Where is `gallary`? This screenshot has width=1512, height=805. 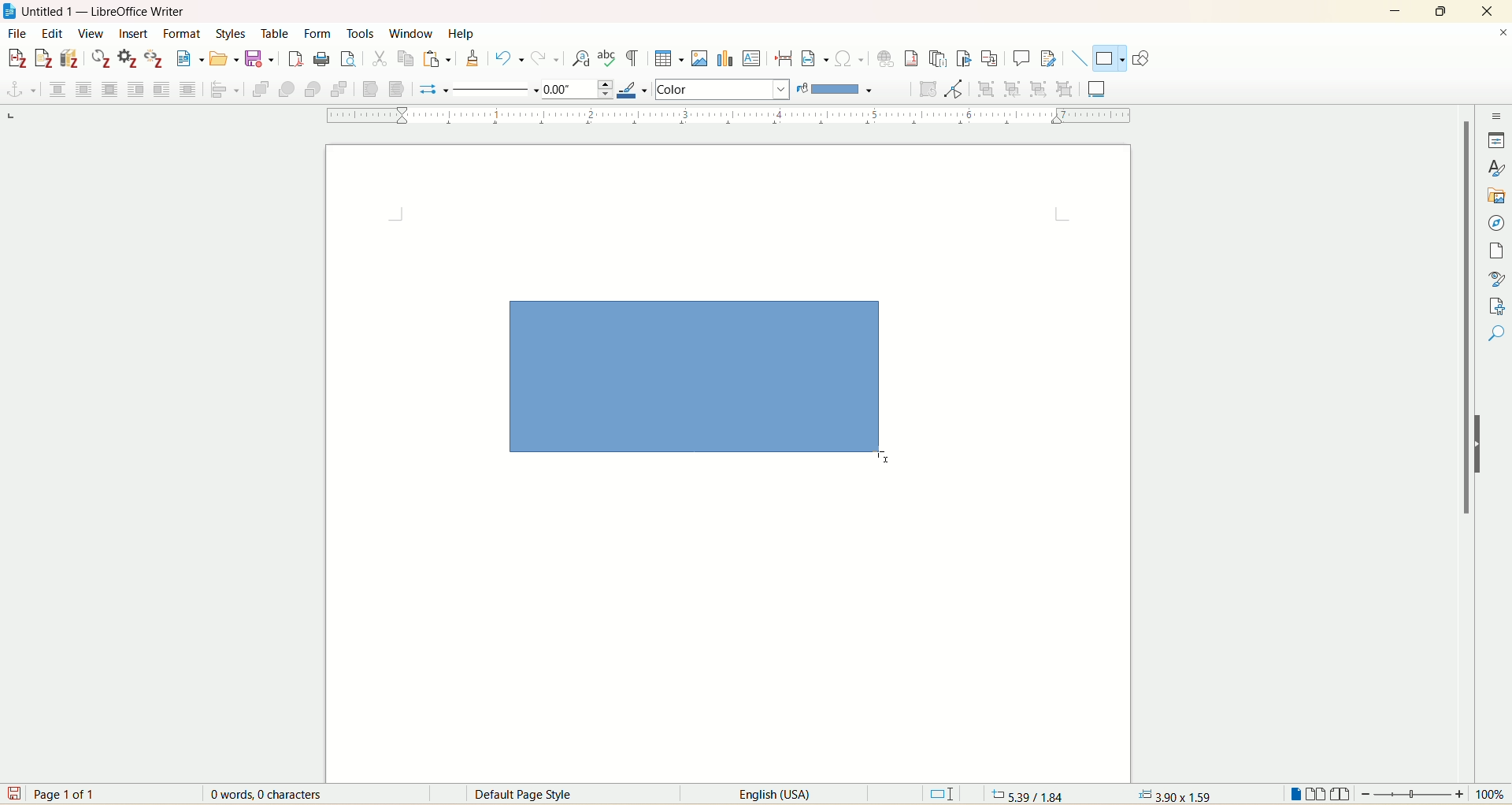 gallary is located at coordinates (1498, 196).